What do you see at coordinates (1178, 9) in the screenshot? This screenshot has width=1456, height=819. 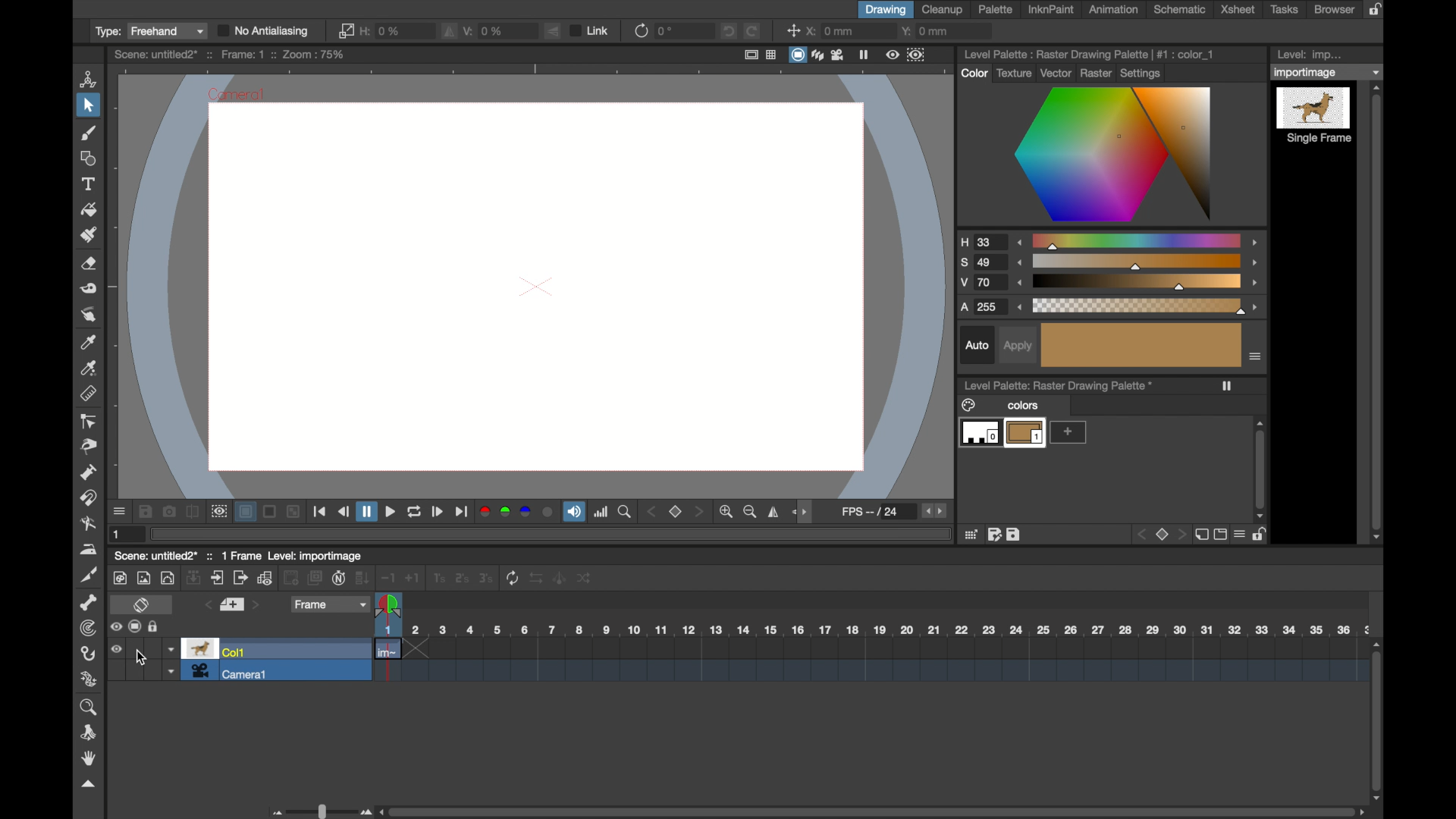 I see `schematic` at bounding box center [1178, 9].